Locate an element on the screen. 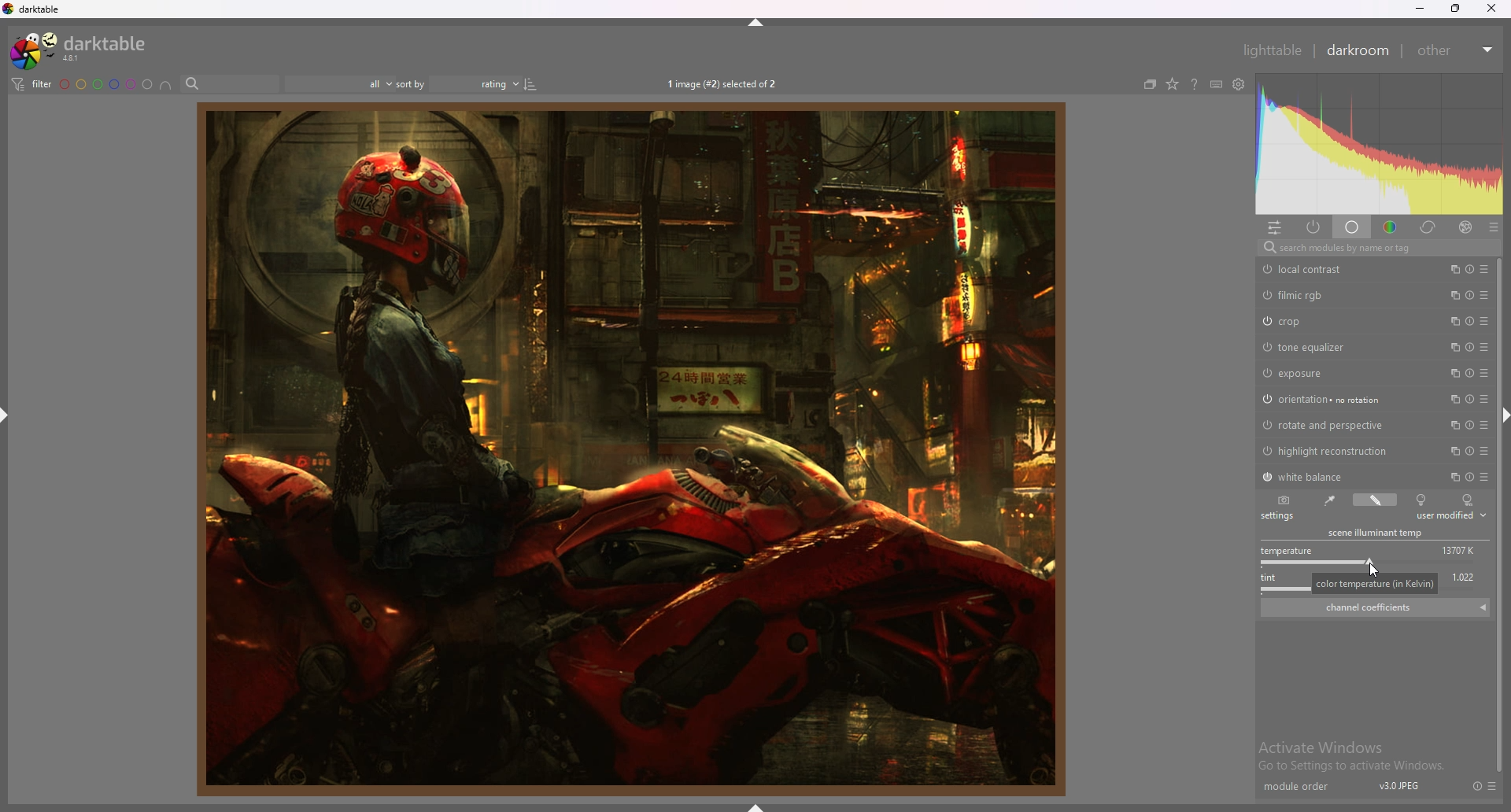 The image size is (1511, 812). presets is located at coordinates (1484, 477).